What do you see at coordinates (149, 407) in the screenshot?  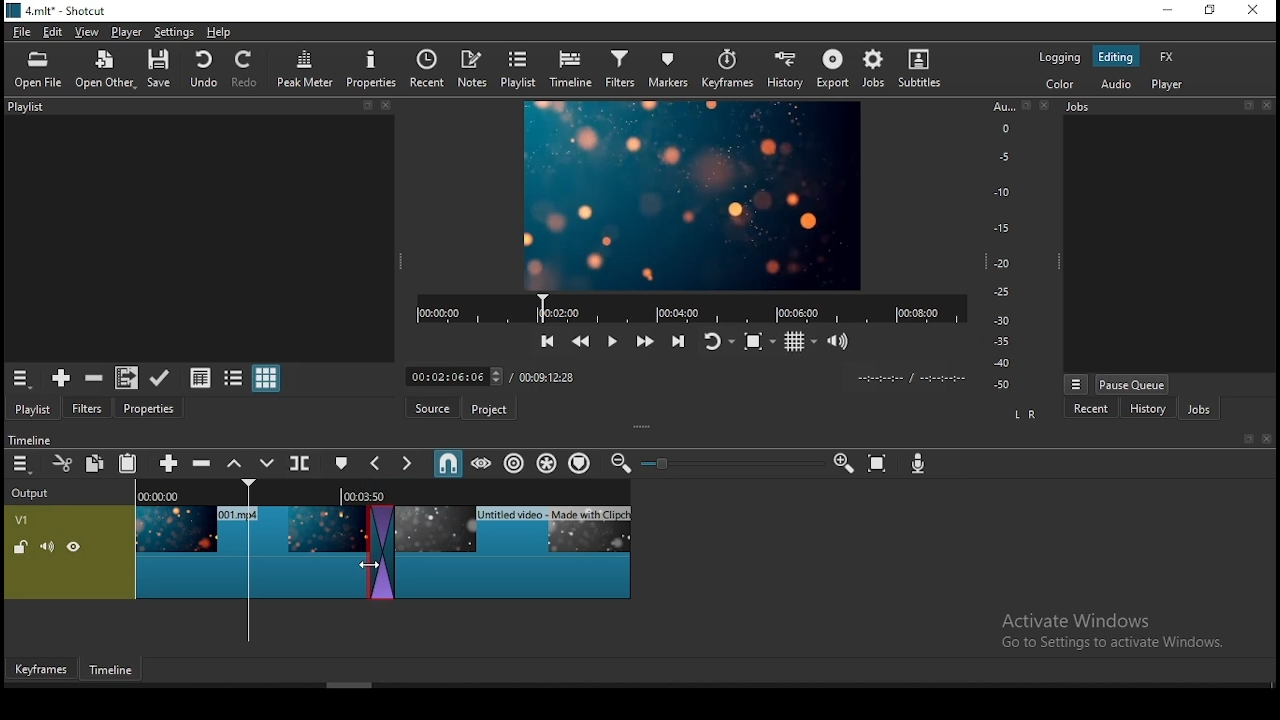 I see `properties` at bounding box center [149, 407].